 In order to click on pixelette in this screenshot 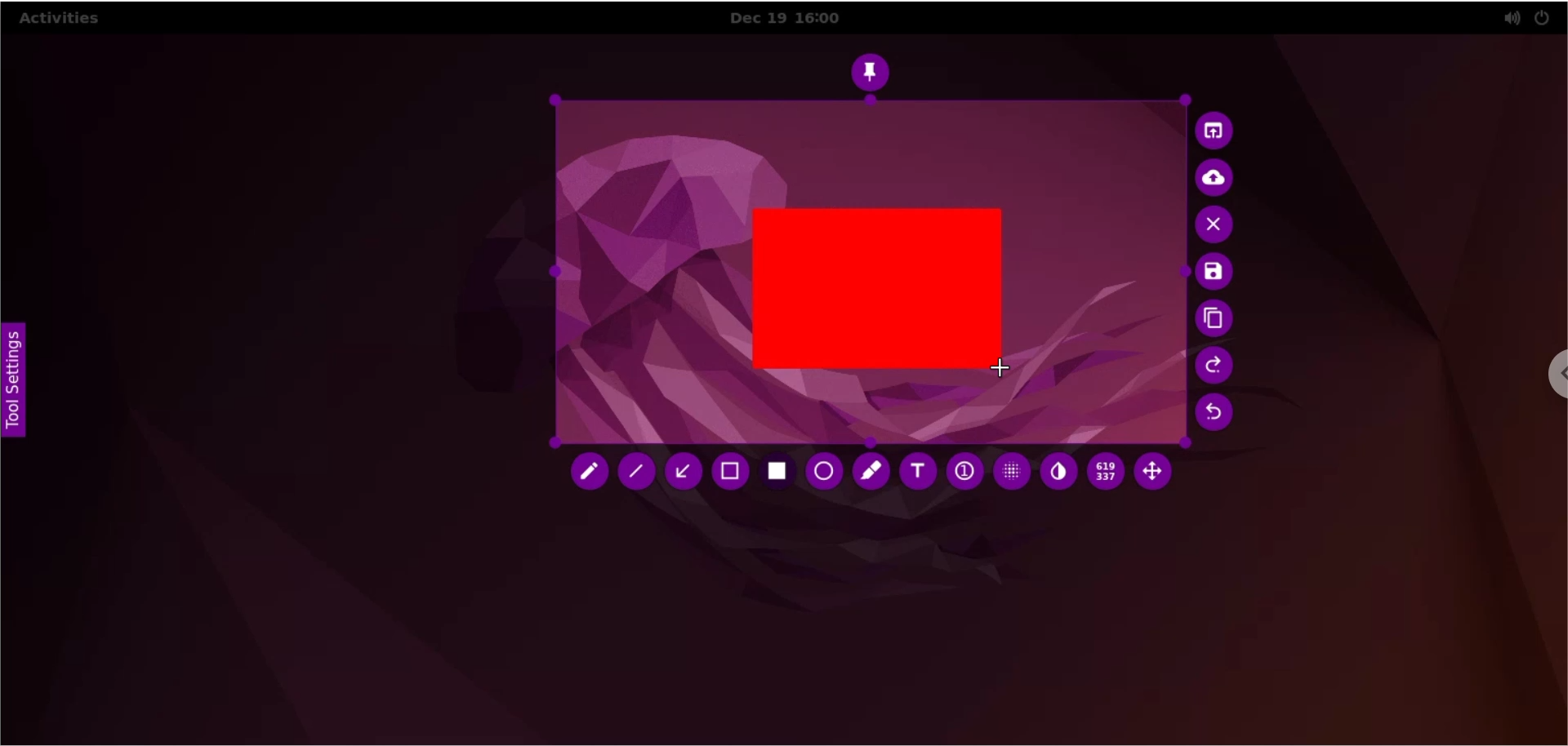, I will do `click(1008, 475)`.